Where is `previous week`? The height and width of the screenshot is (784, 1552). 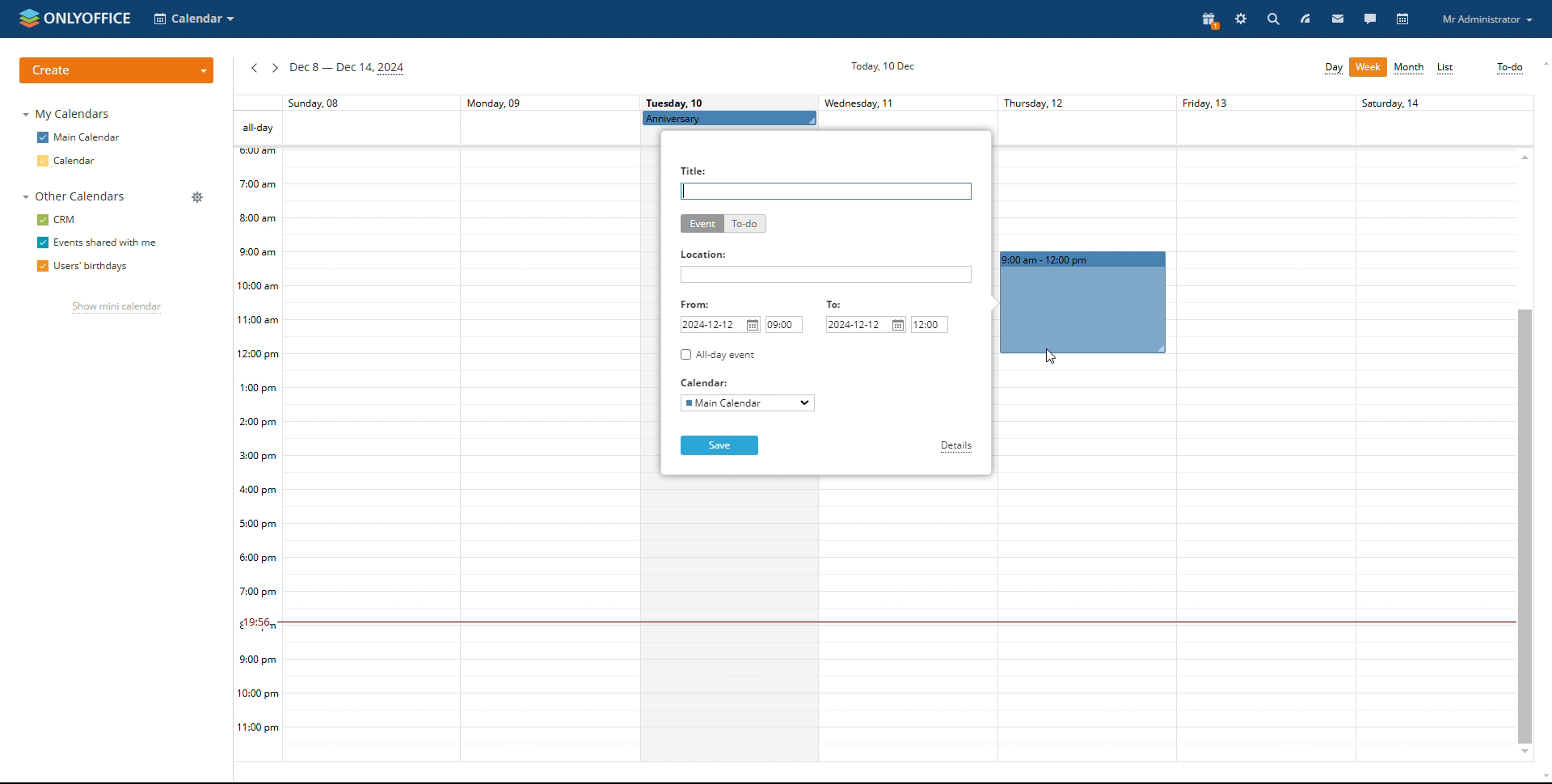
previous week is located at coordinates (254, 69).